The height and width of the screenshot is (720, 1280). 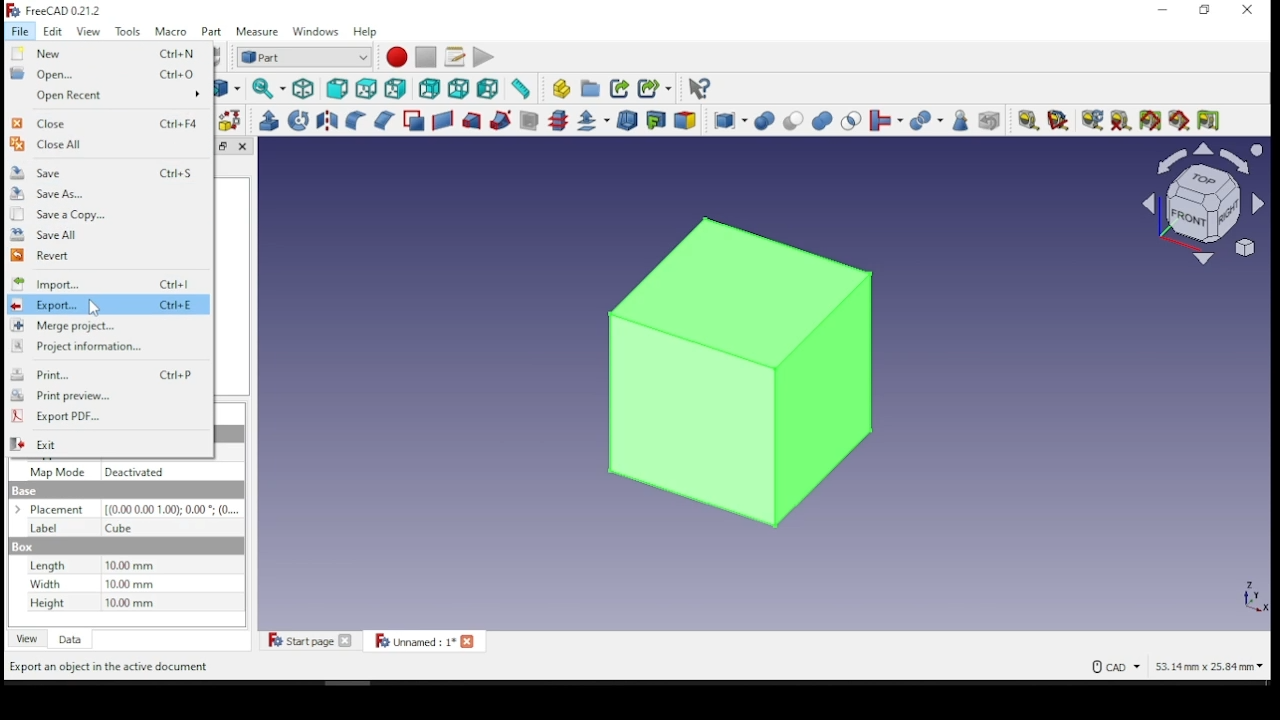 What do you see at coordinates (658, 119) in the screenshot?
I see `create projection on surface` at bounding box center [658, 119].